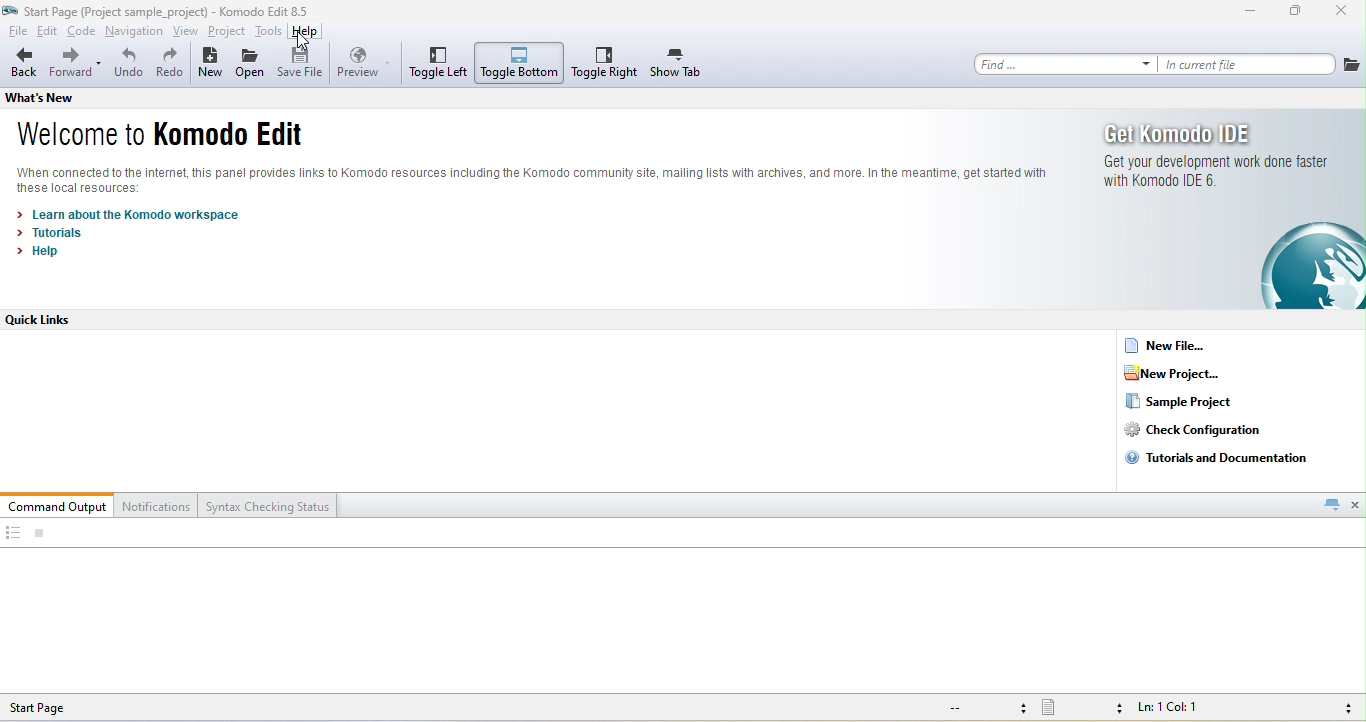 The image size is (1366, 722). Describe the element at coordinates (160, 137) in the screenshot. I see `welcome to komodo edit` at that location.